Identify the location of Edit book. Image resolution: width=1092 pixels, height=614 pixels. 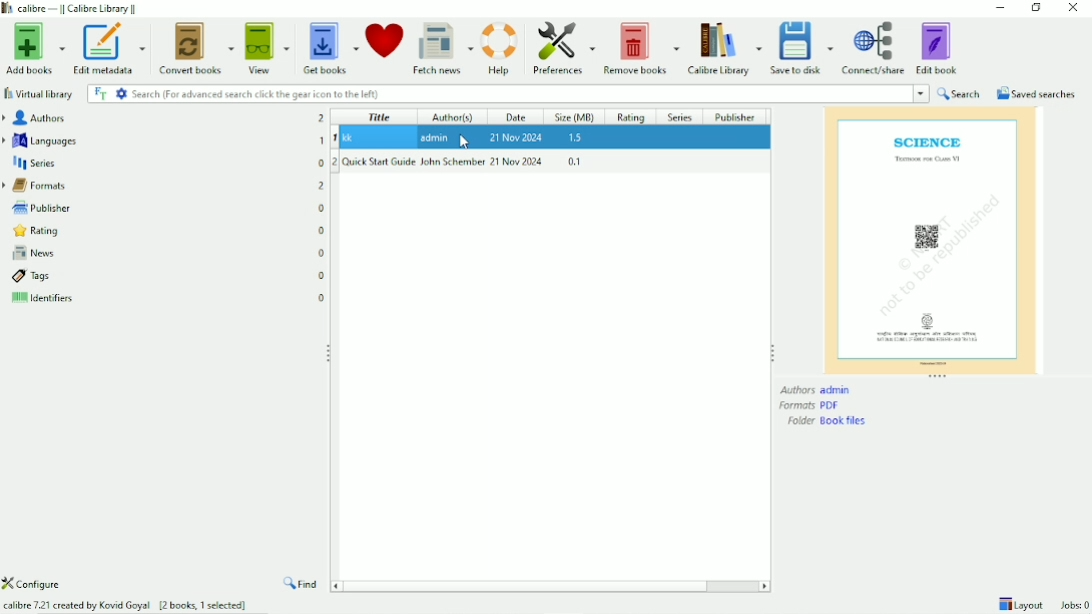
(937, 48).